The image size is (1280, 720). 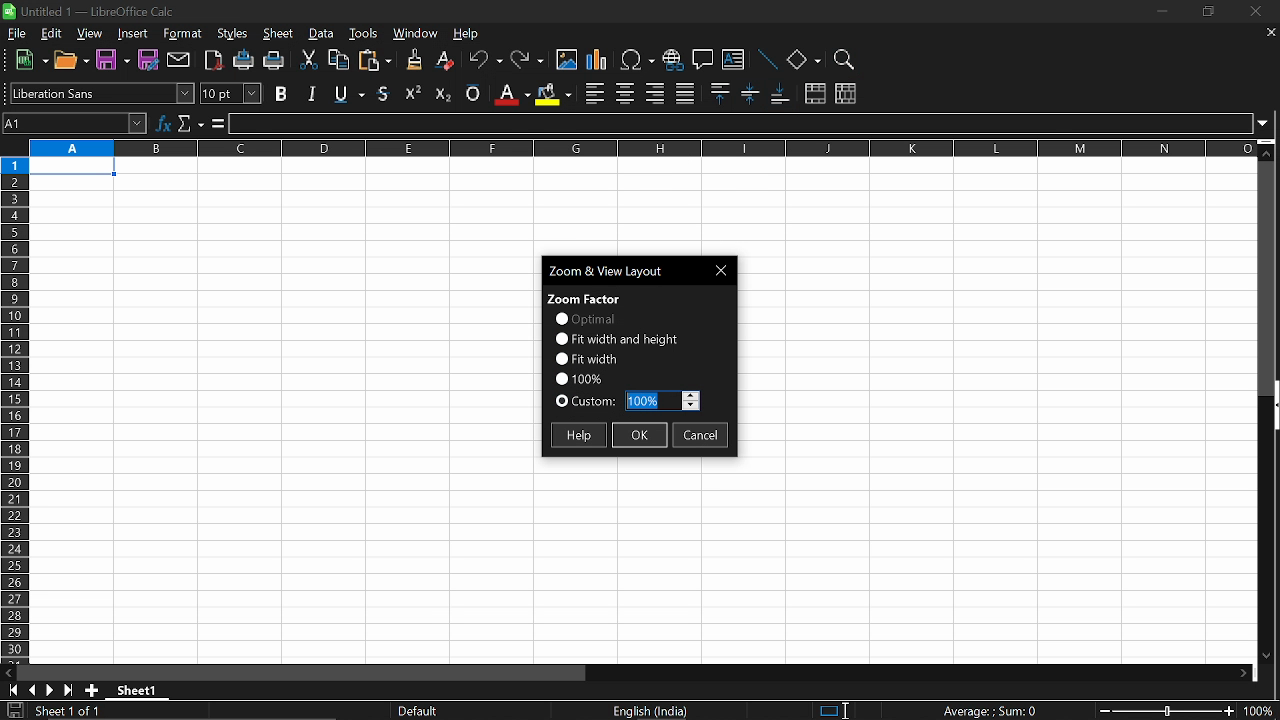 I want to click on next page, so click(x=50, y=691).